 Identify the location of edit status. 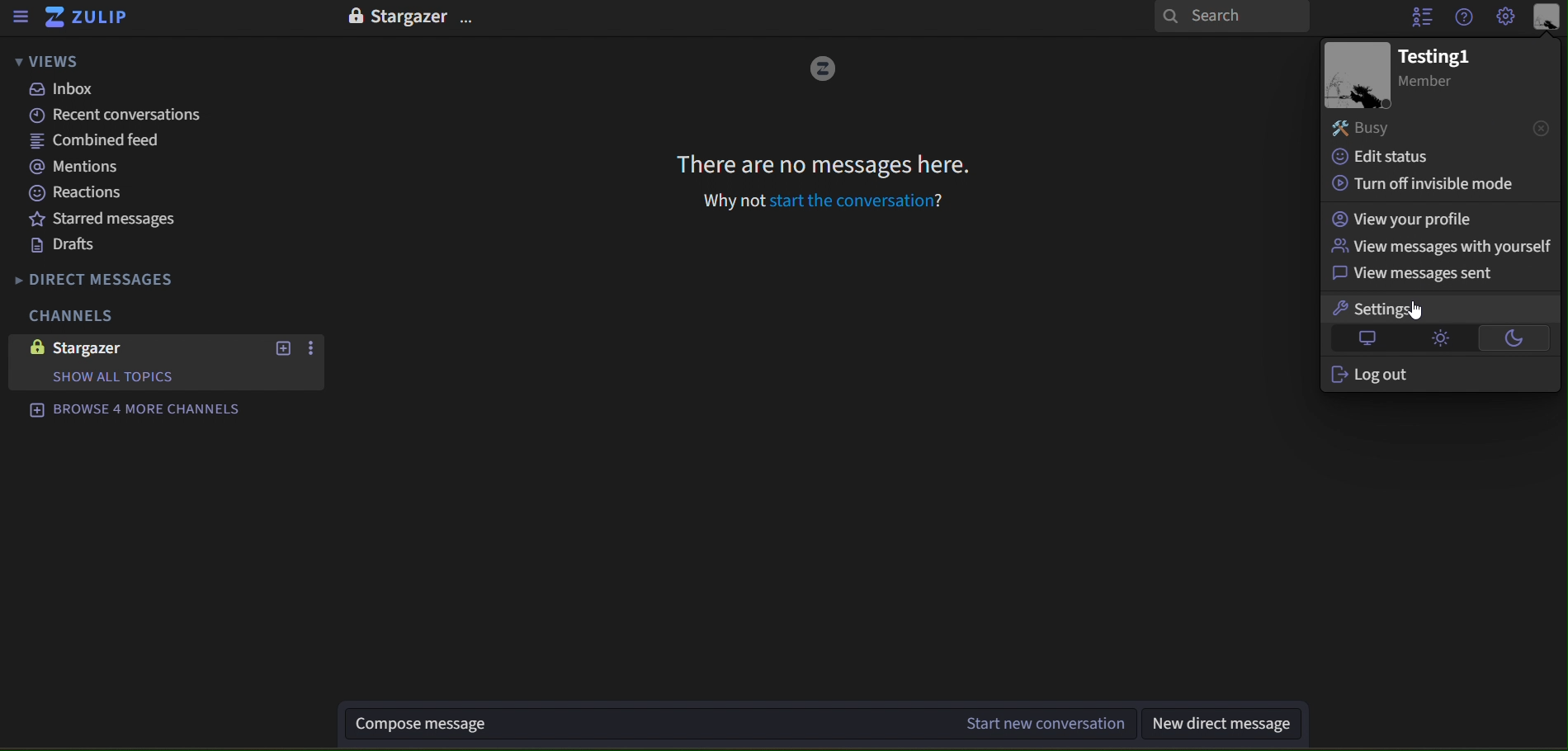
(1391, 157).